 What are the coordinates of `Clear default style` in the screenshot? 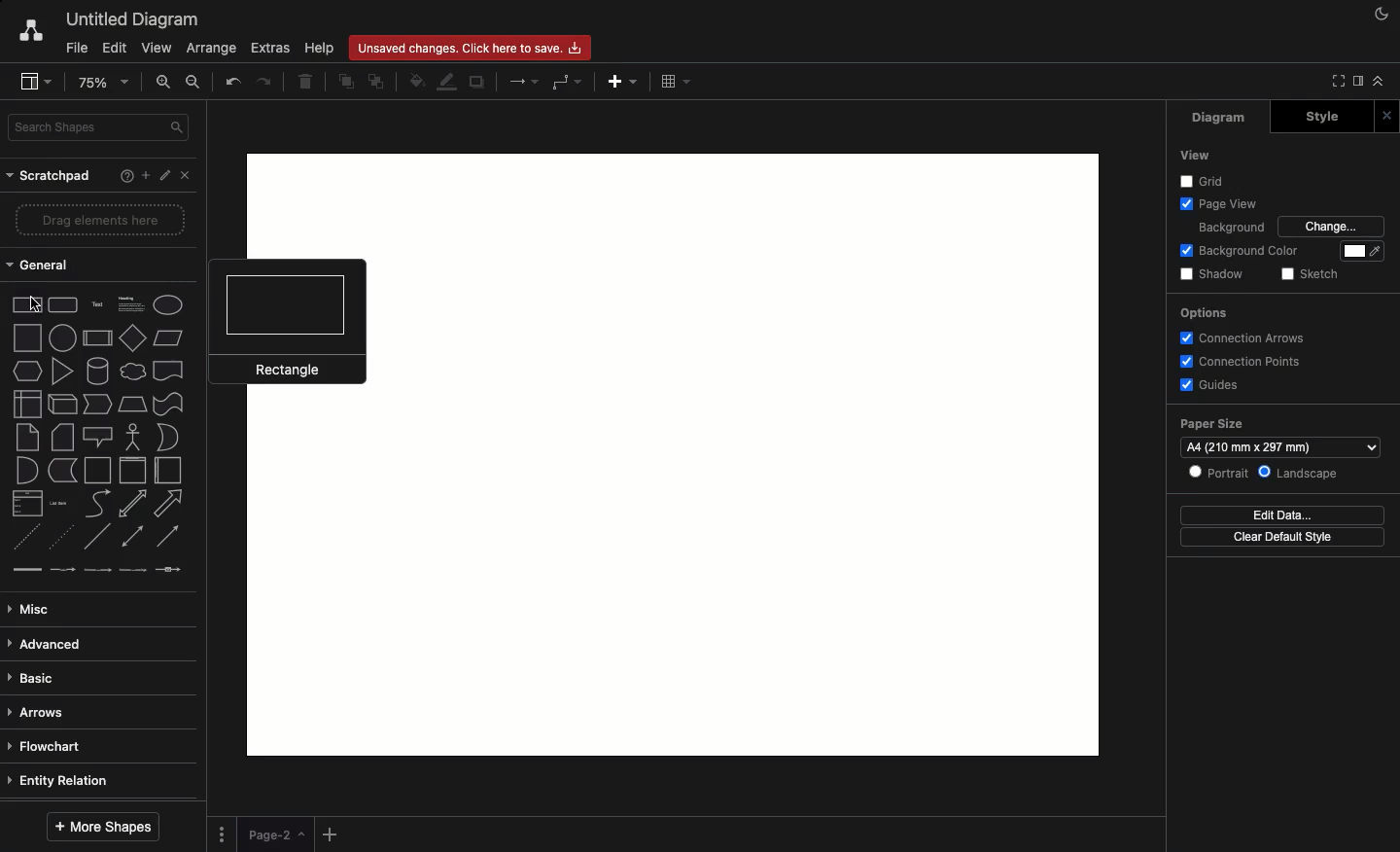 It's located at (1285, 538).